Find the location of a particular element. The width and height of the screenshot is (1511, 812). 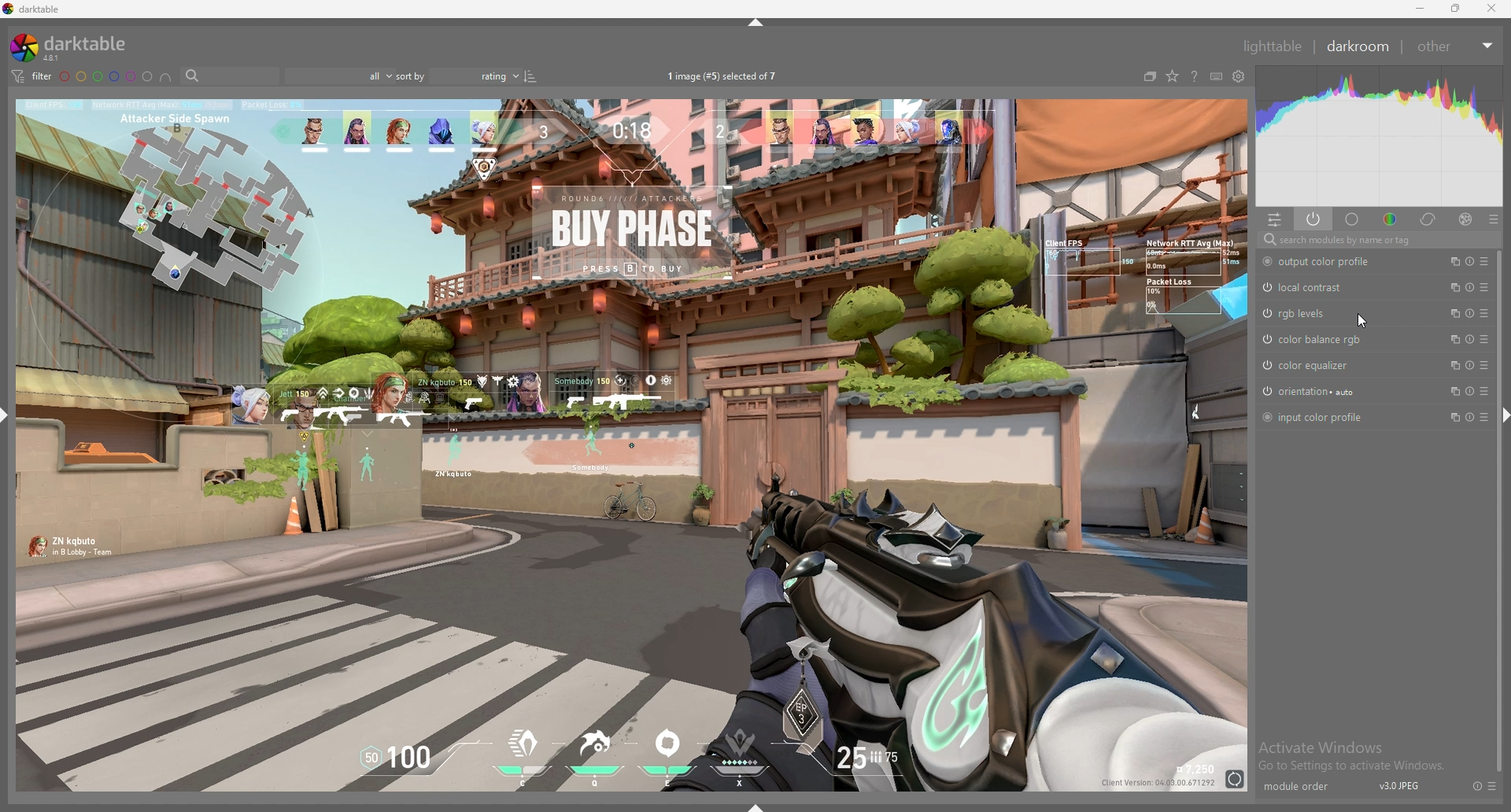

cursor is located at coordinates (1363, 319).